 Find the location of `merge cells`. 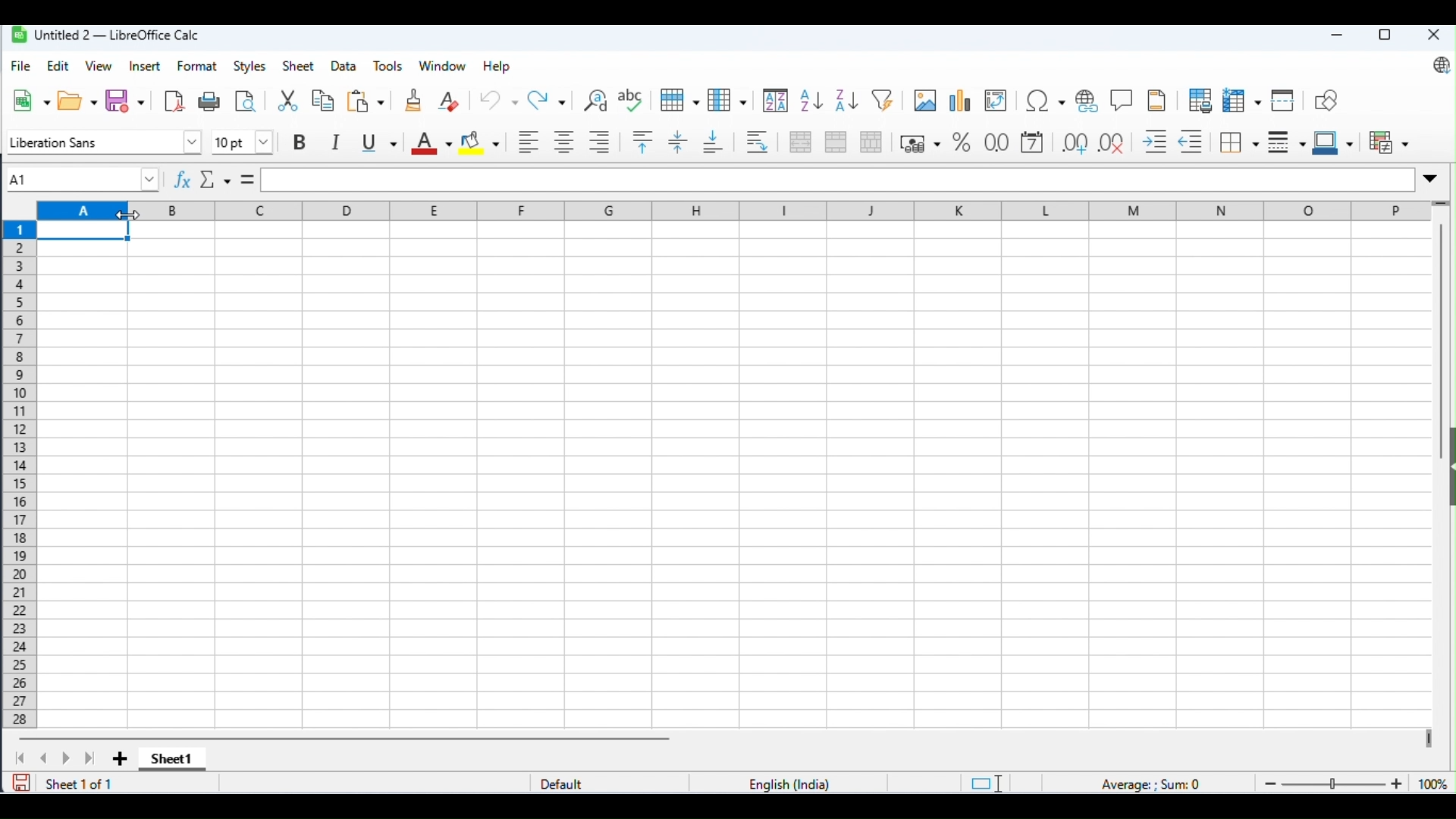

merge cells is located at coordinates (836, 140).